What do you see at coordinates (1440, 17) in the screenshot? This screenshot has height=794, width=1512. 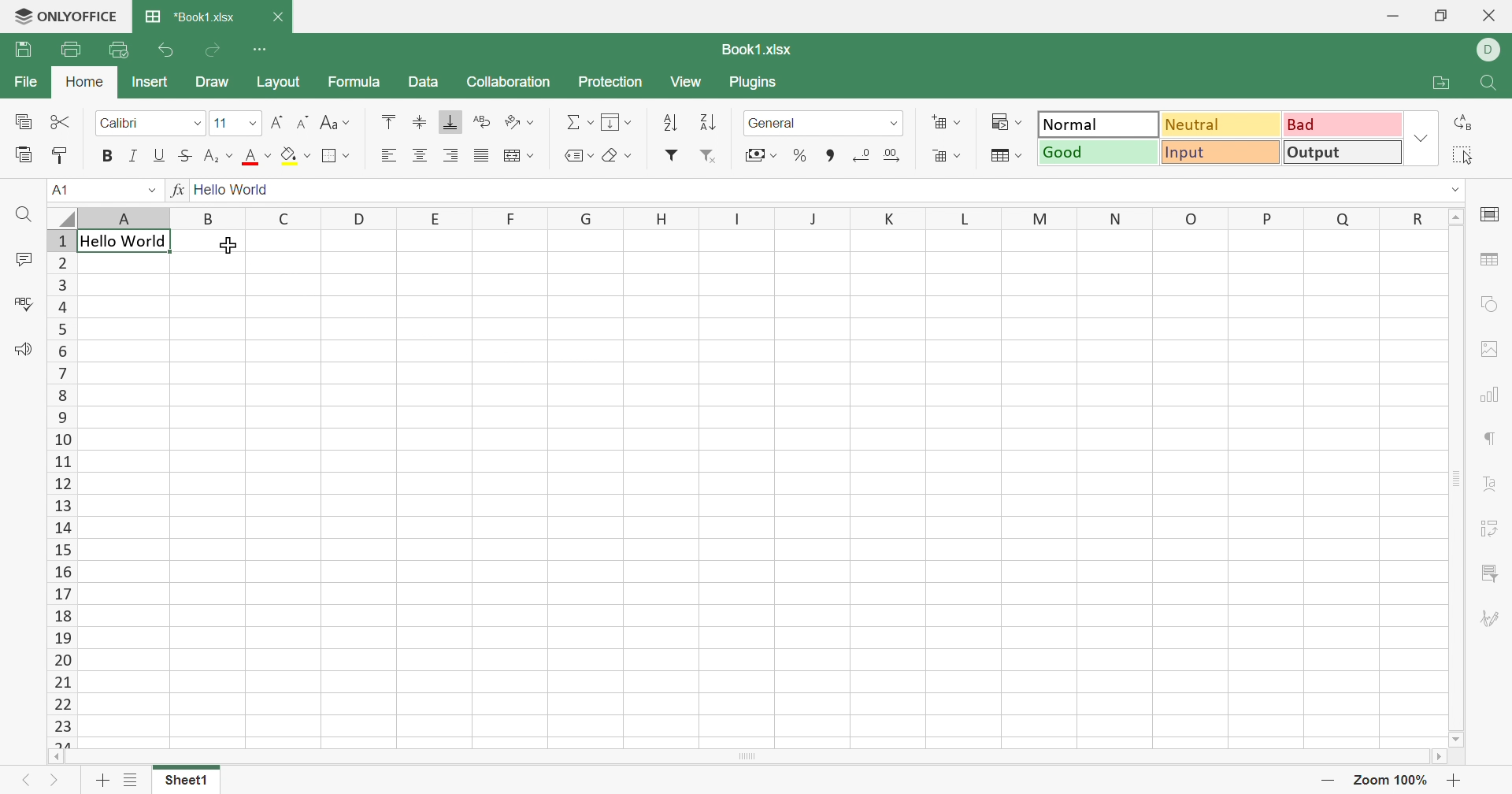 I see `Restore down` at bounding box center [1440, 17].